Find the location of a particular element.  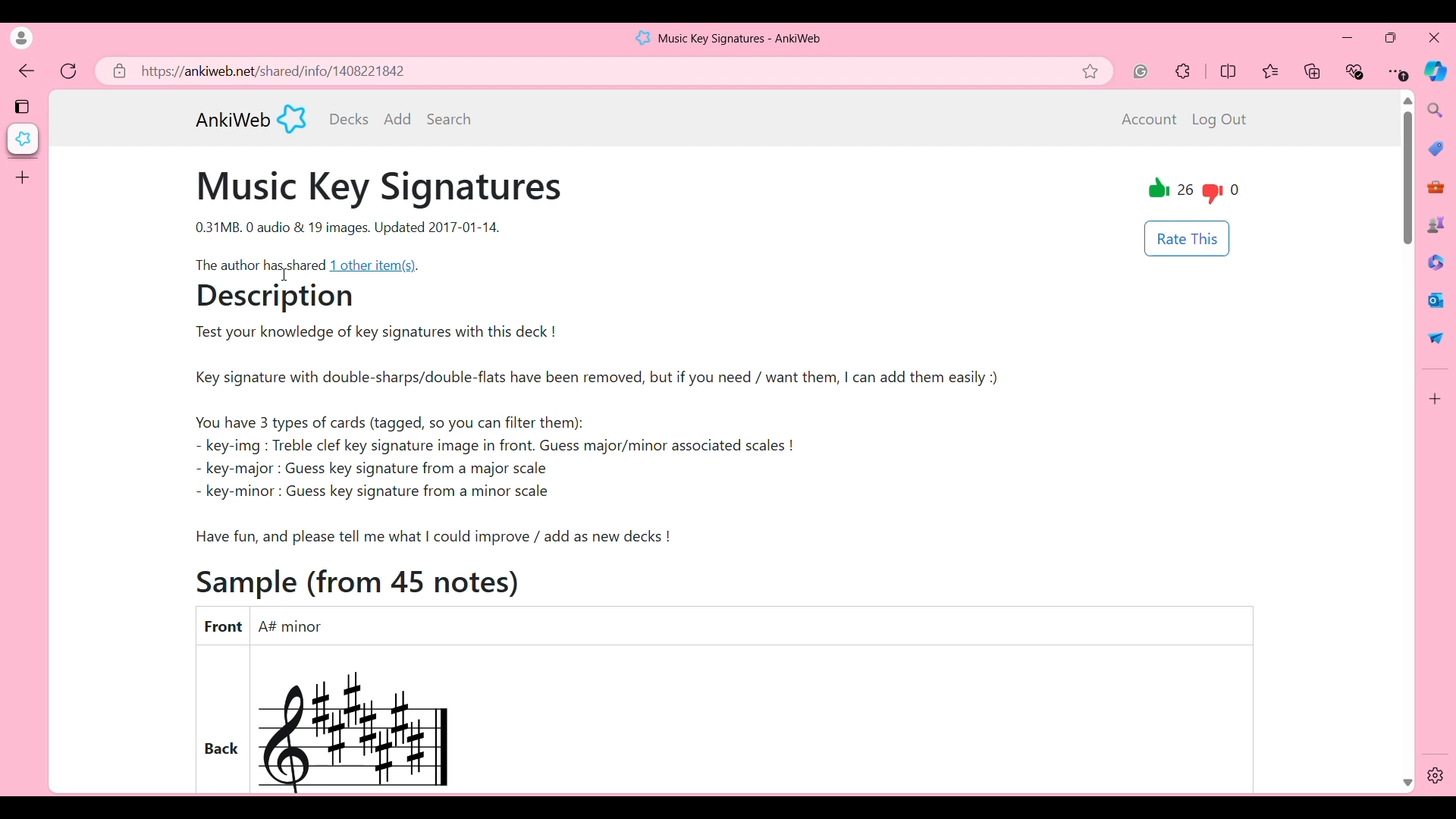

Browser messaging software is located at coordinates (1436, 300).